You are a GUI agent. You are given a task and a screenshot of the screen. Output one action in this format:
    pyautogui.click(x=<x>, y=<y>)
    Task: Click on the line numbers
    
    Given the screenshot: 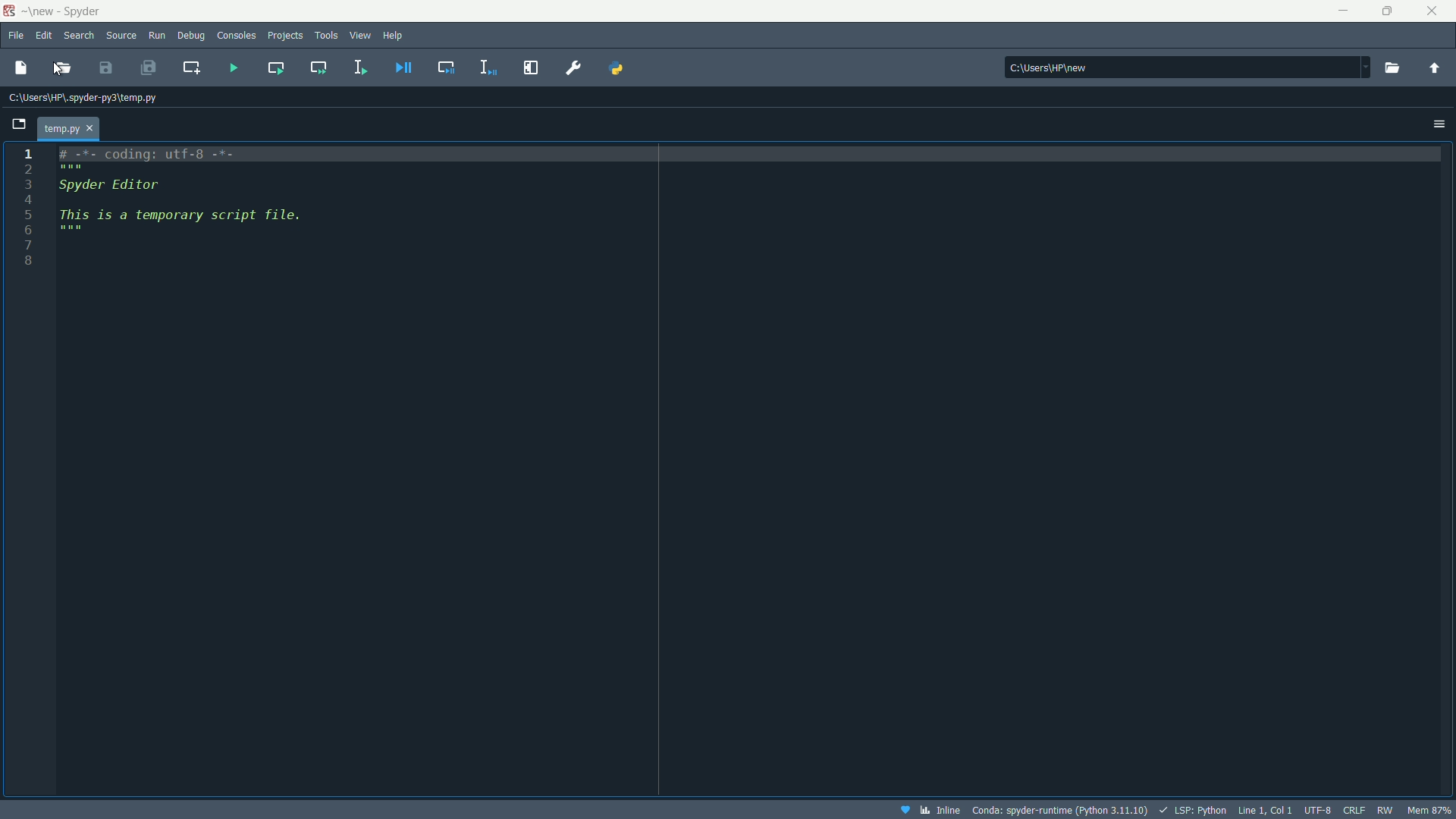 What is the action you would take?
    pyautogui.click(x=27, y=214)
    